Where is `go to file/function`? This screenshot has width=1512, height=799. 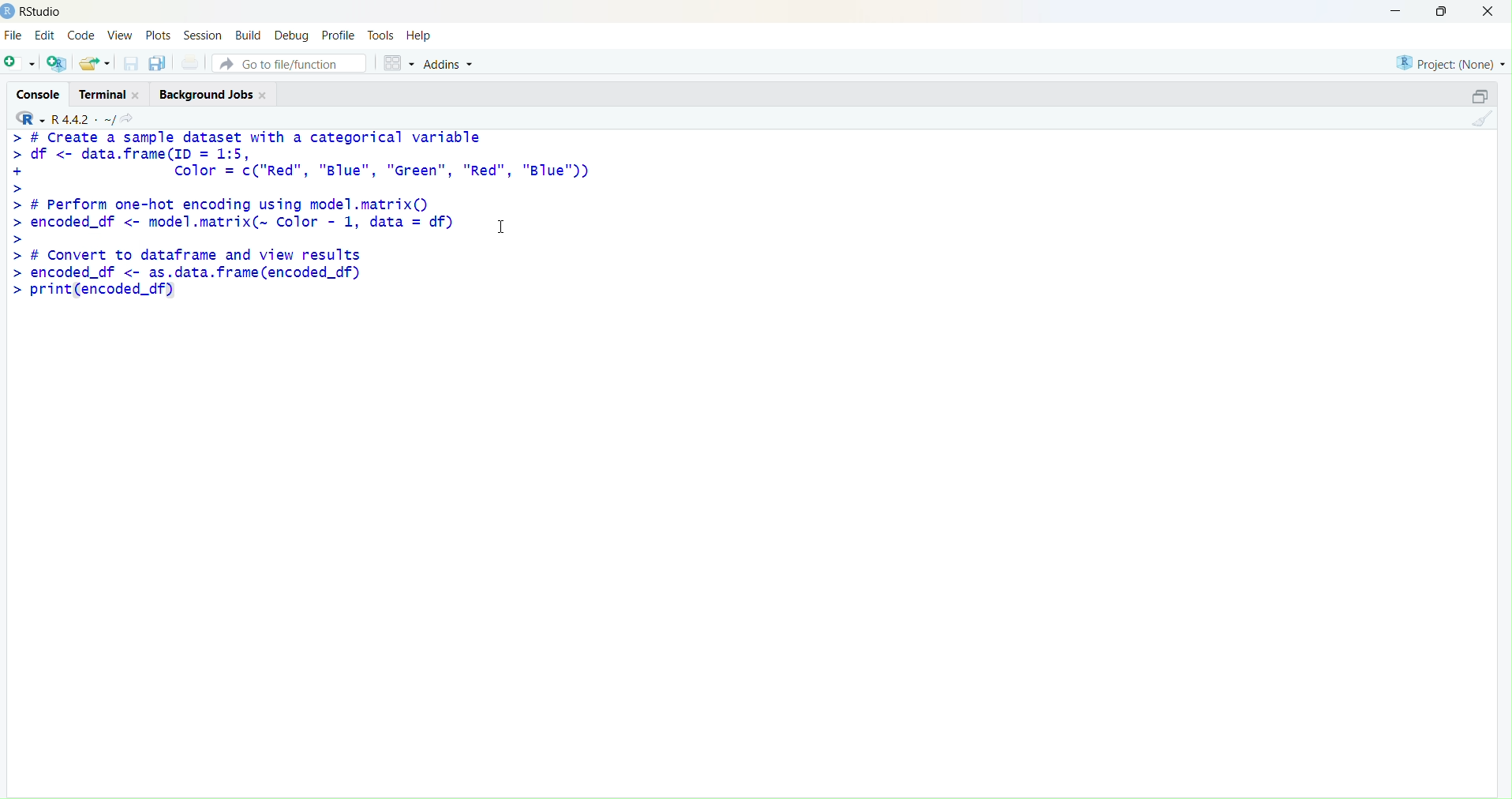 go to file/function is located at coordinates (289, 63).